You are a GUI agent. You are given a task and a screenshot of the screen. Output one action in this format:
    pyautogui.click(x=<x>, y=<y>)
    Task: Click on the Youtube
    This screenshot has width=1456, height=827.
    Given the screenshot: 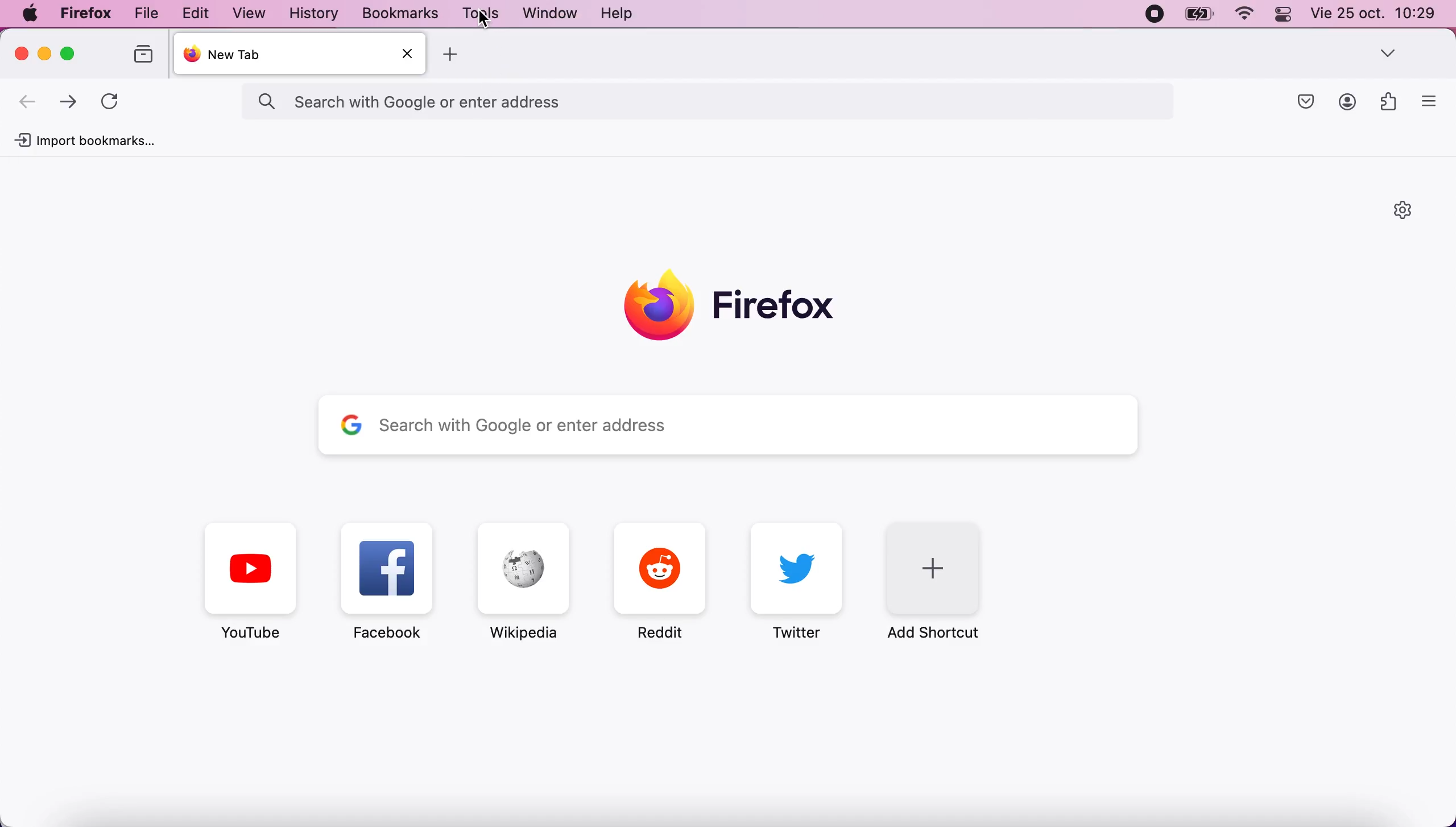 What is the action you would take?
    pyautogui.click(x=250, y=581)
    